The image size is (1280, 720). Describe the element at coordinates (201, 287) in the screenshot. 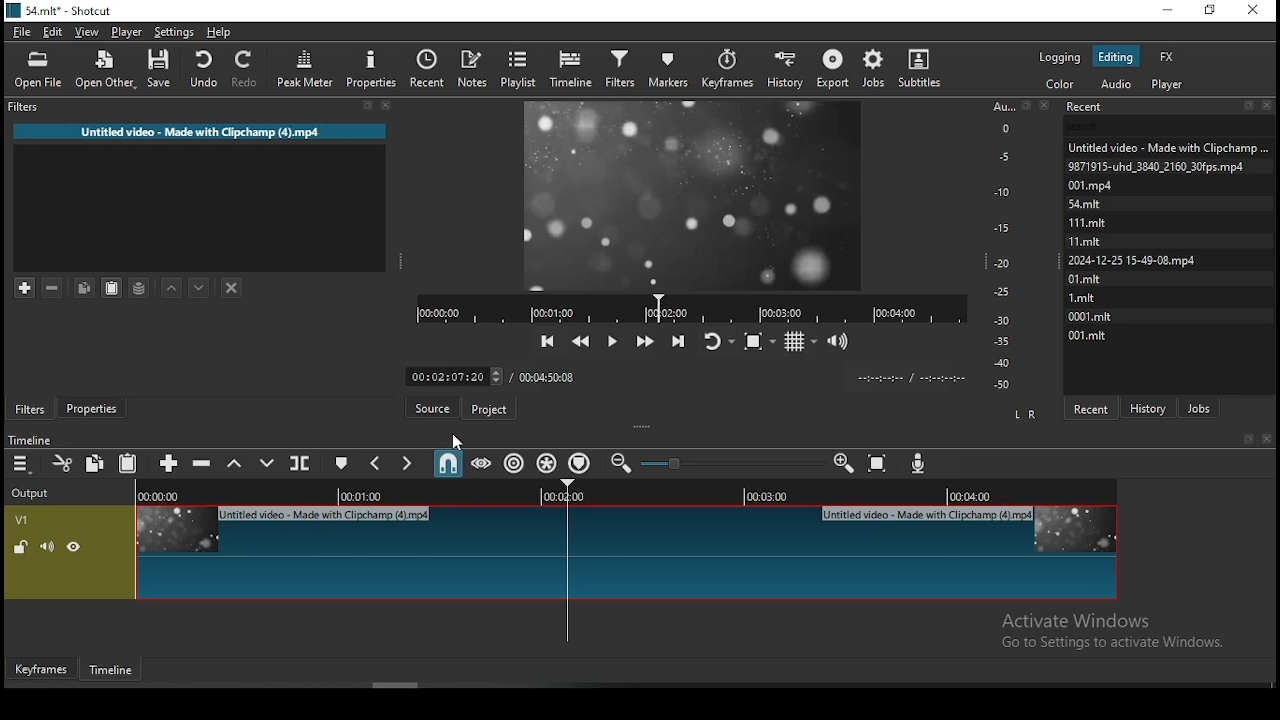

I see `move filter down` at that location.